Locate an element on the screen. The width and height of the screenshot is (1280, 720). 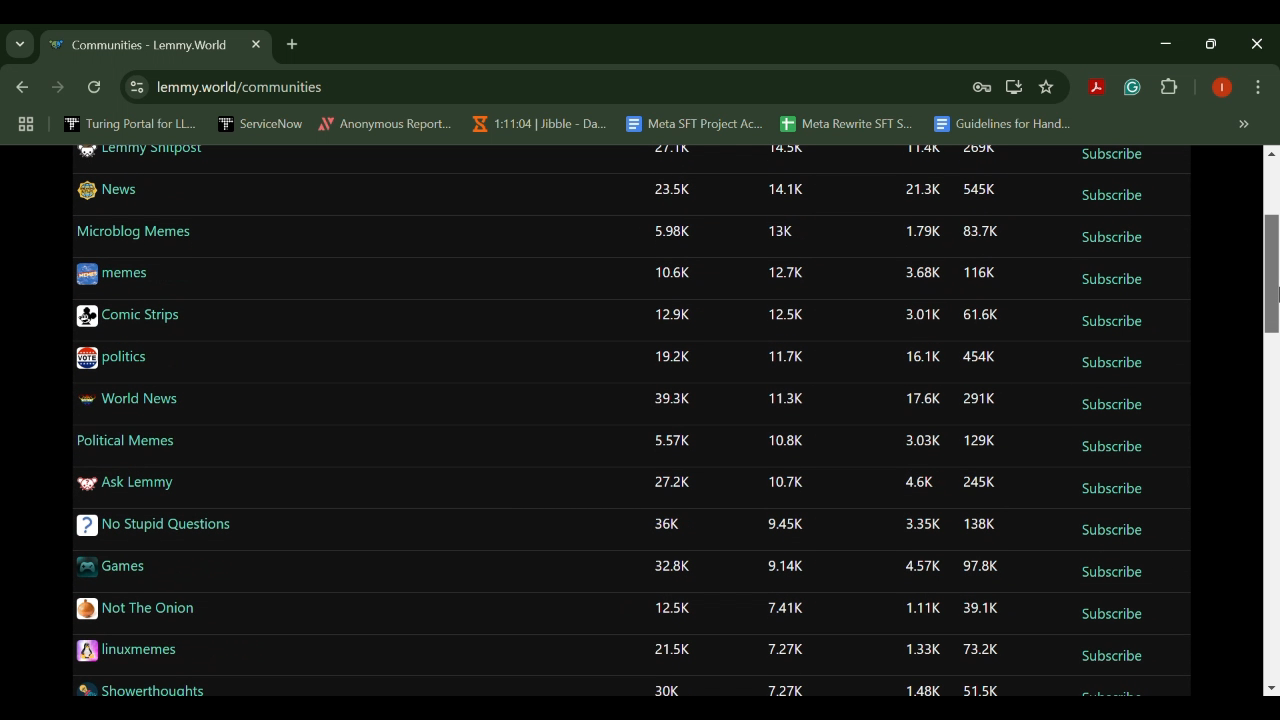
Comic Strips is located at coordinates (126, 317).